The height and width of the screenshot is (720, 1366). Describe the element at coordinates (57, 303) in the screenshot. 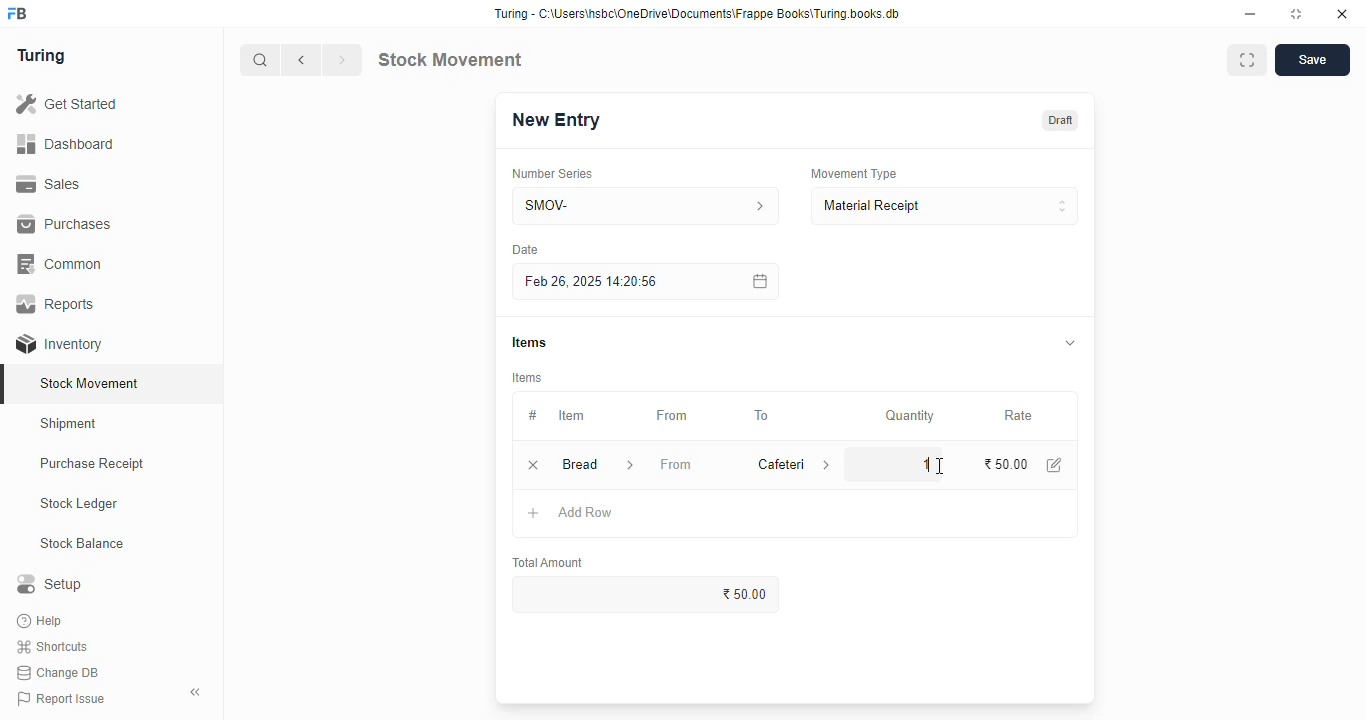

I see `reports` at that location.